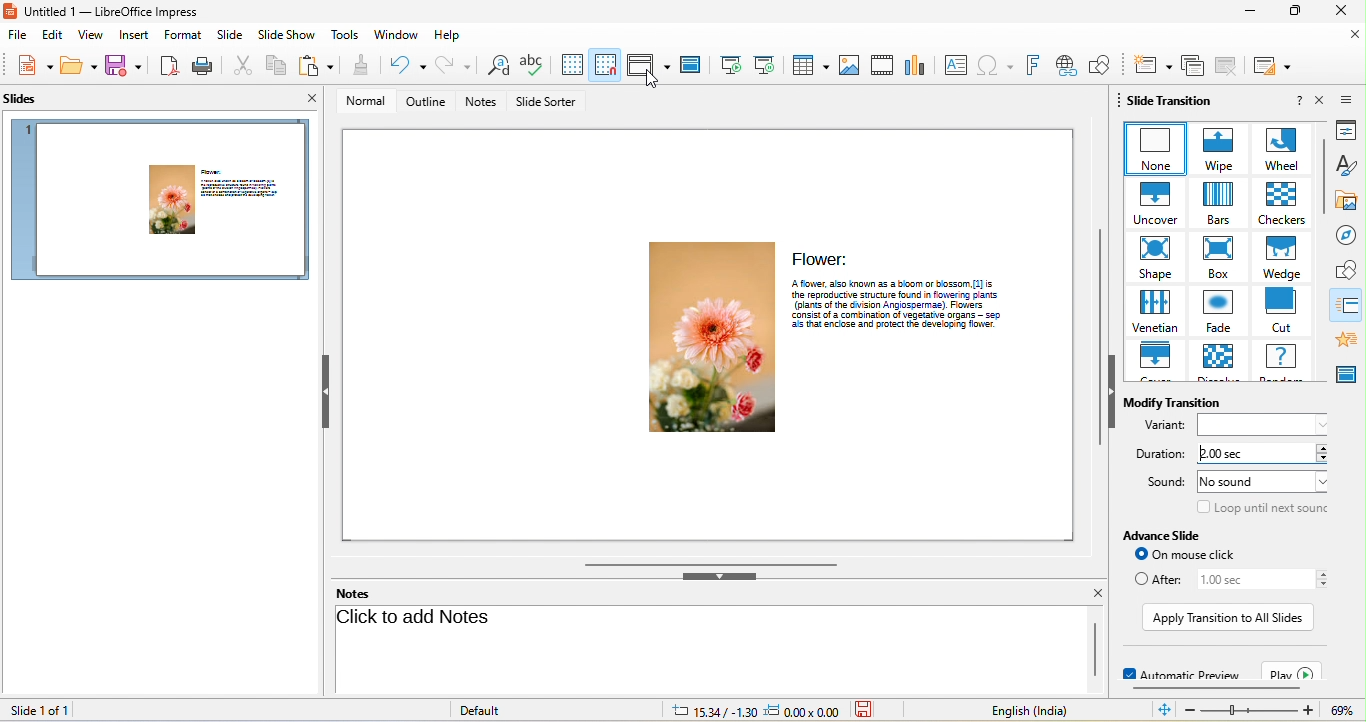  What do you see at coordinates (1155, 362) in the screenshot?
I see `cover` at bounding box center [1155, 362].